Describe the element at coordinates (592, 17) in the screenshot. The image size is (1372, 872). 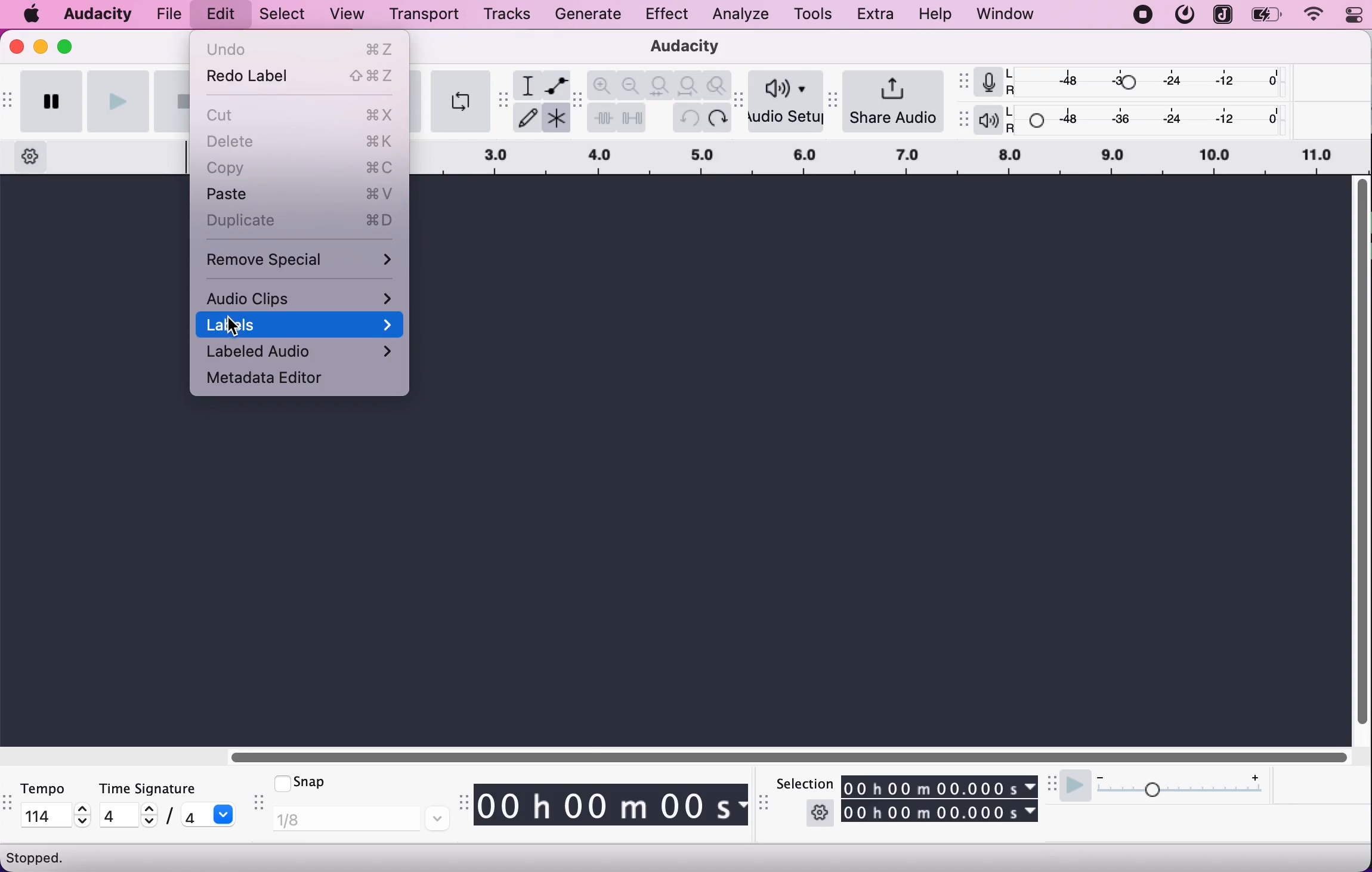
I see `generate` at that location.